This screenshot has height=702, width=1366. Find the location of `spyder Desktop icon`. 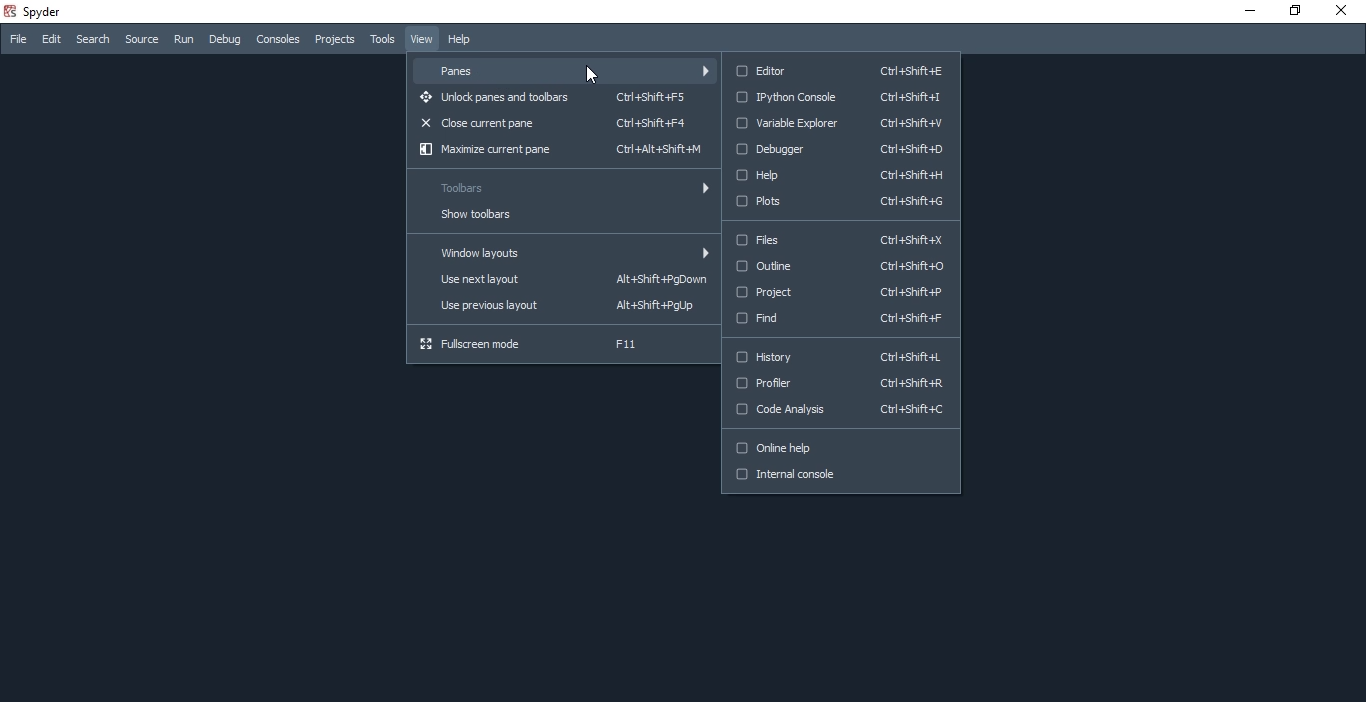

spyder Desktop icon is located at coordinates (36, 10).